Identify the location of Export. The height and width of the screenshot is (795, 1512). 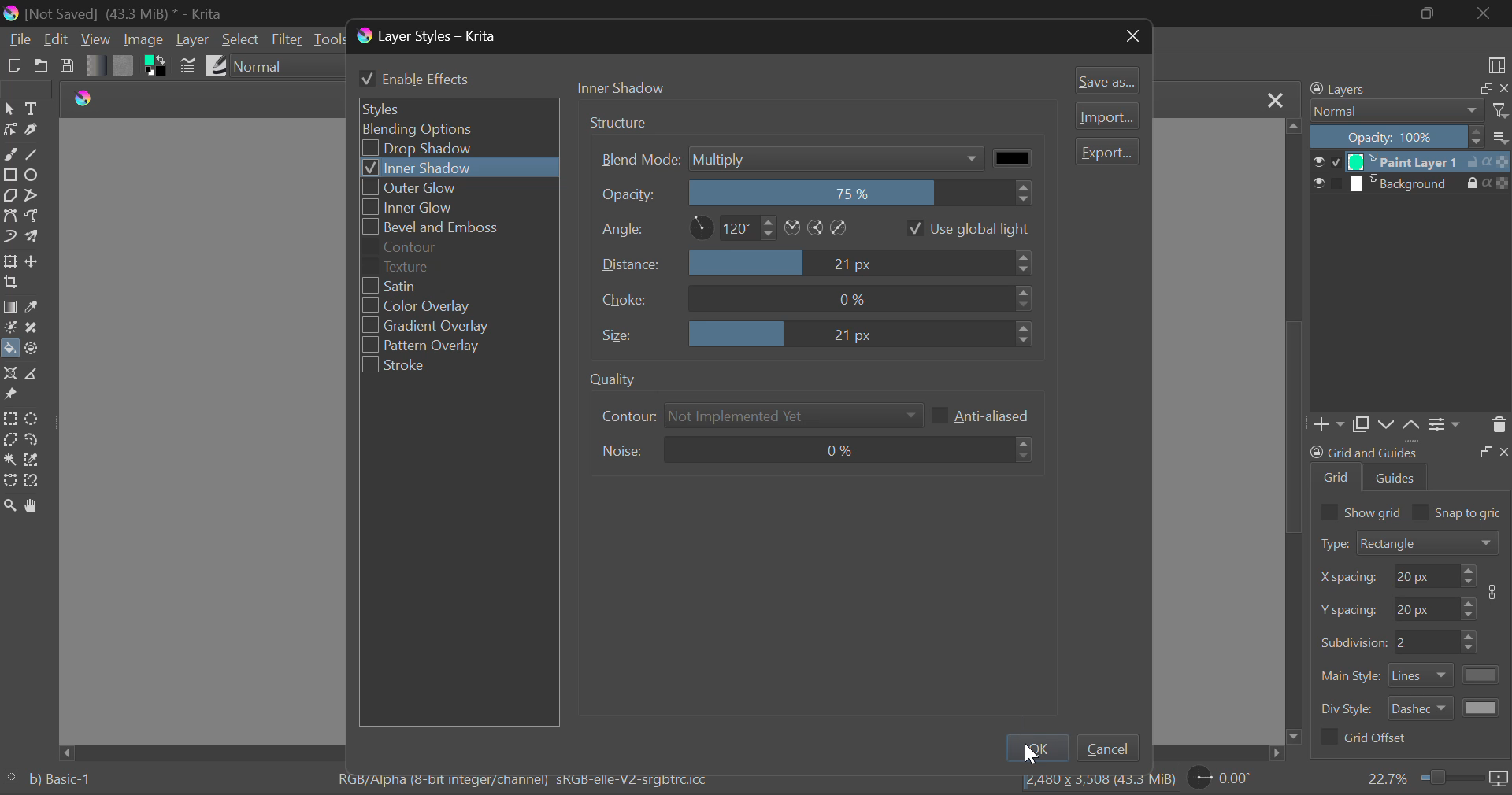
(1106, 152).